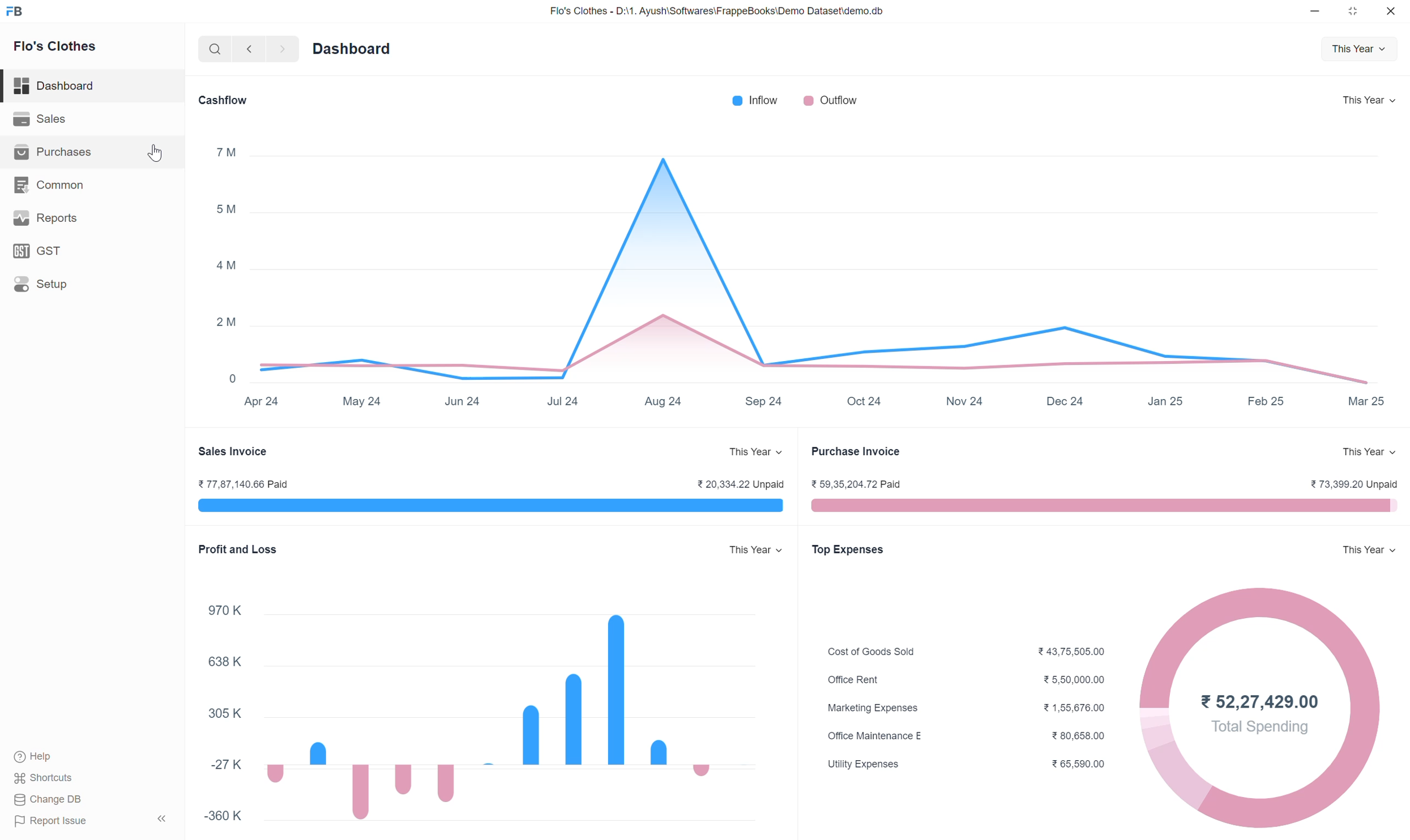 This screenshot has width=1410, height=840. What do you see at coordinates (158, 154) in the screenshot?
I see `cursor` at bounding box center [158, 154].